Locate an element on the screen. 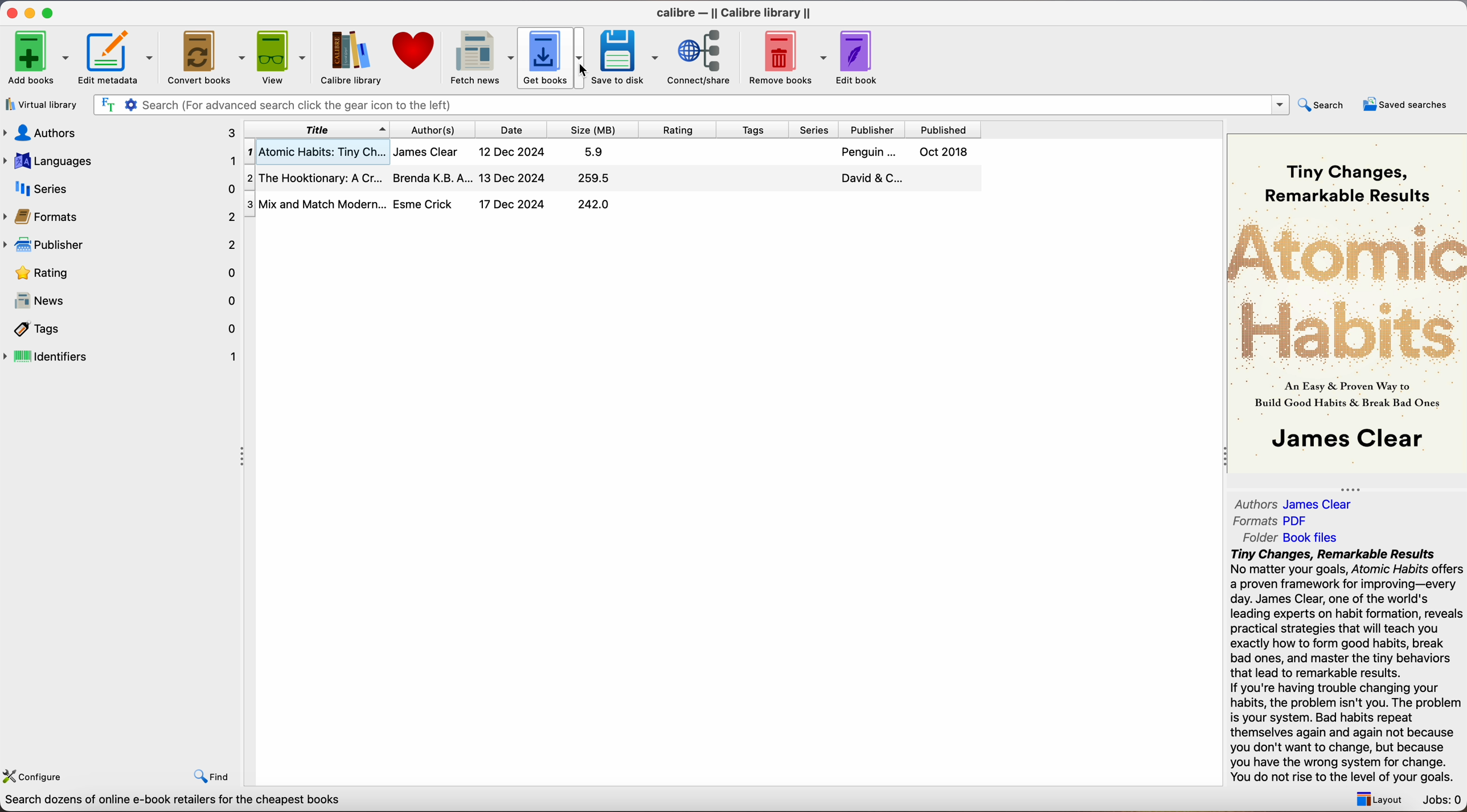 The height and width of the screenshot is (812, 1467). Calibre - ||Calibre library|| is located at coordinates (733, 13).